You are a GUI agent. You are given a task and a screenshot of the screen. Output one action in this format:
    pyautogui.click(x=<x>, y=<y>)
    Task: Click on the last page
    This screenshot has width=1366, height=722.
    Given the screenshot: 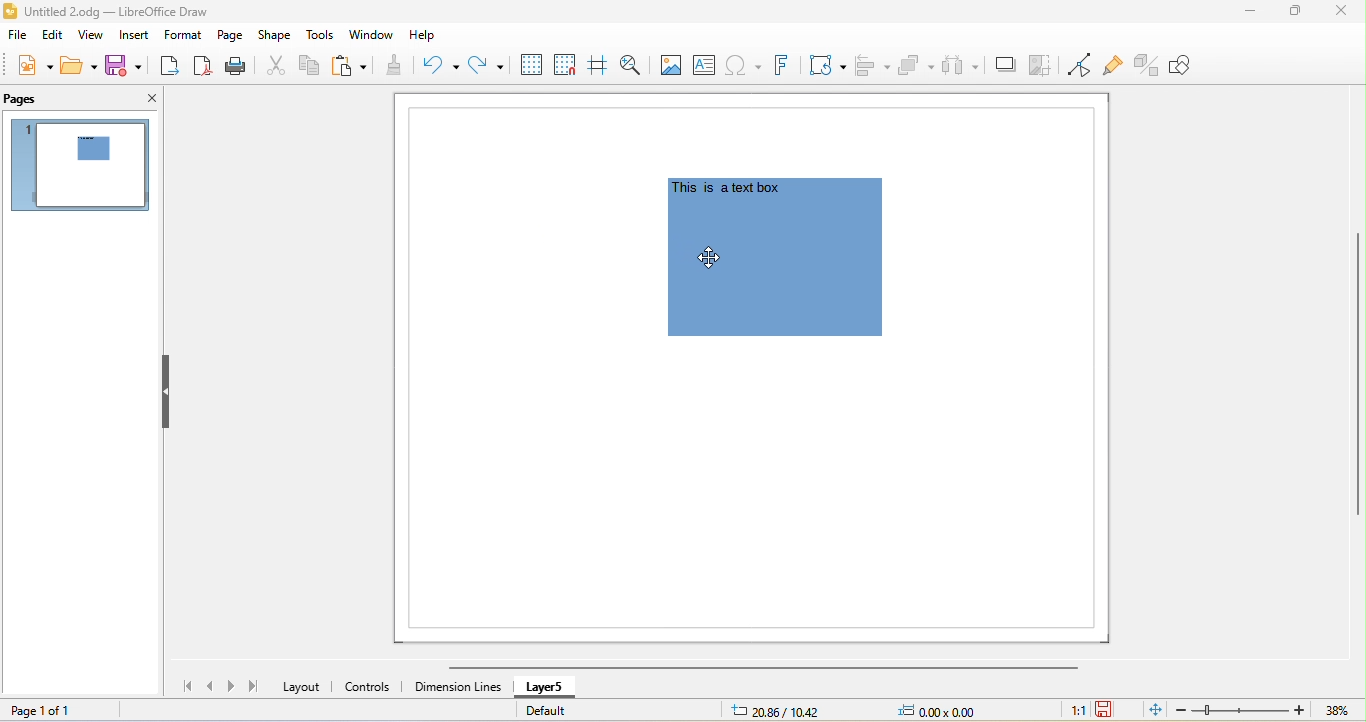 What is the action you would take?
    pyautogui.click(x=257, y=689)
    